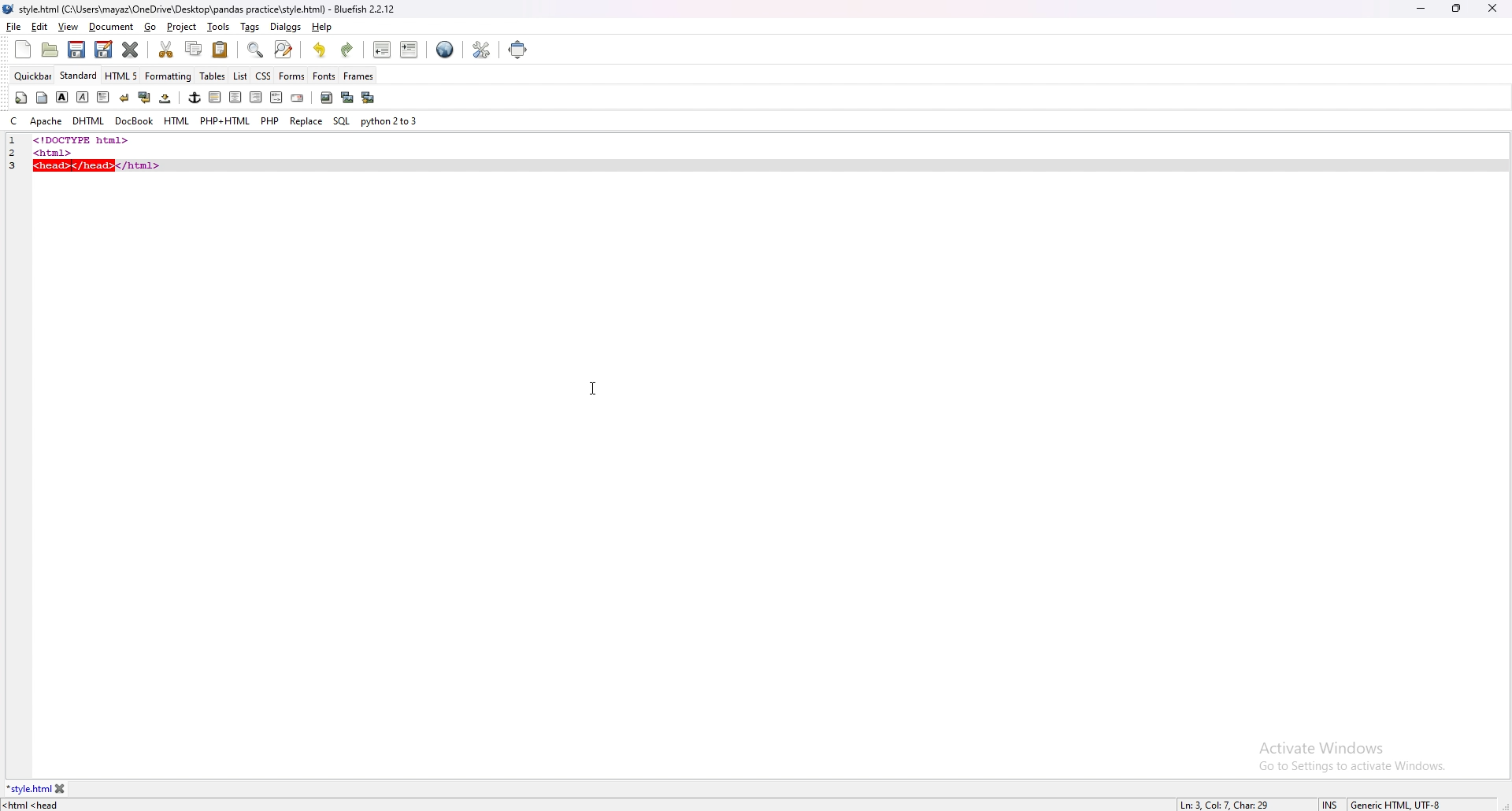  I want to click on new, so click(23, 50).